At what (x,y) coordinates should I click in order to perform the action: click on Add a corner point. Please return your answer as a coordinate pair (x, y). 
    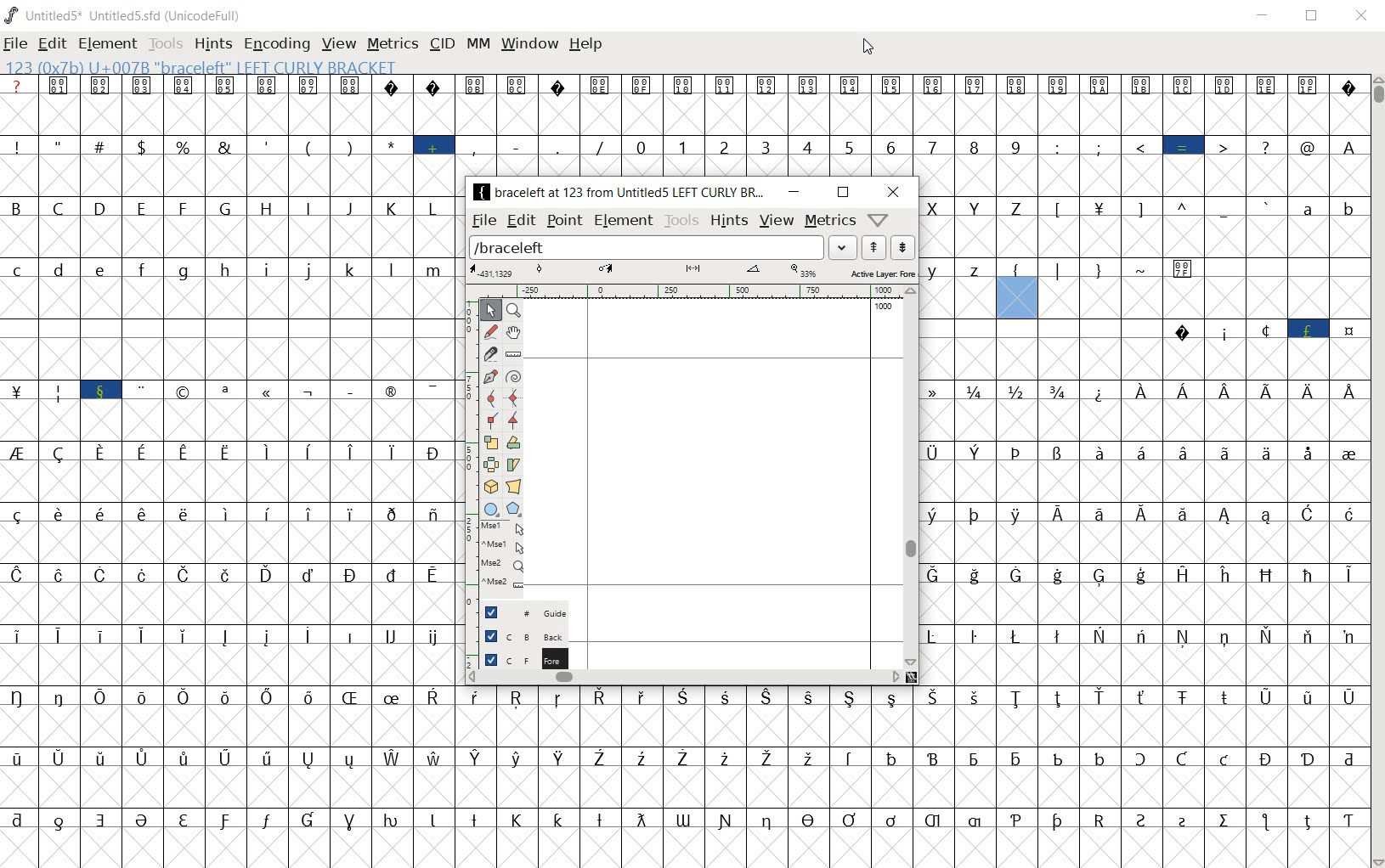
    Looking at the image, I should click on (513, 421).